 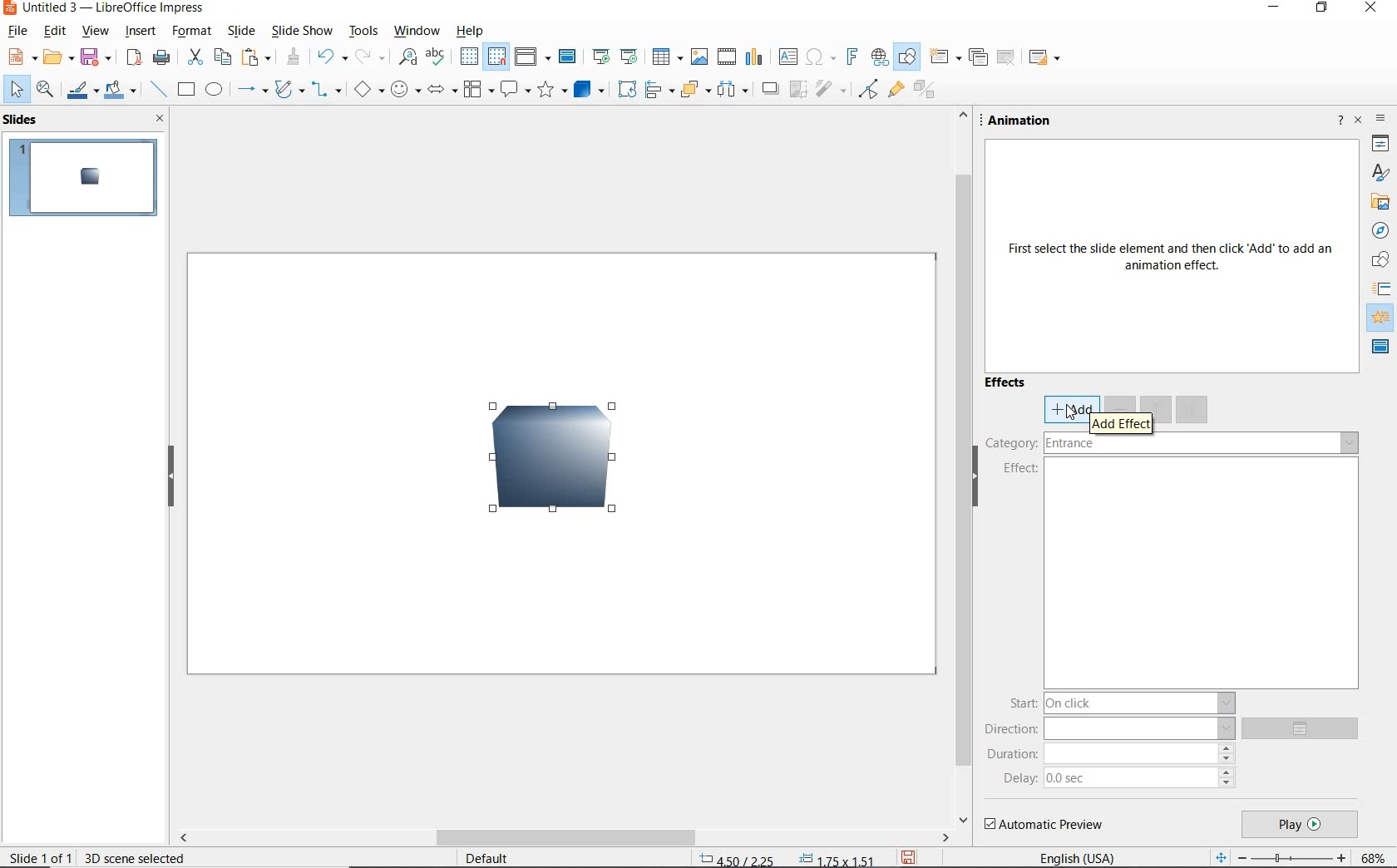 What do you see at coordinates (81, 91) in the screenshot?
I see `line color` at bounding box center [81, 91].